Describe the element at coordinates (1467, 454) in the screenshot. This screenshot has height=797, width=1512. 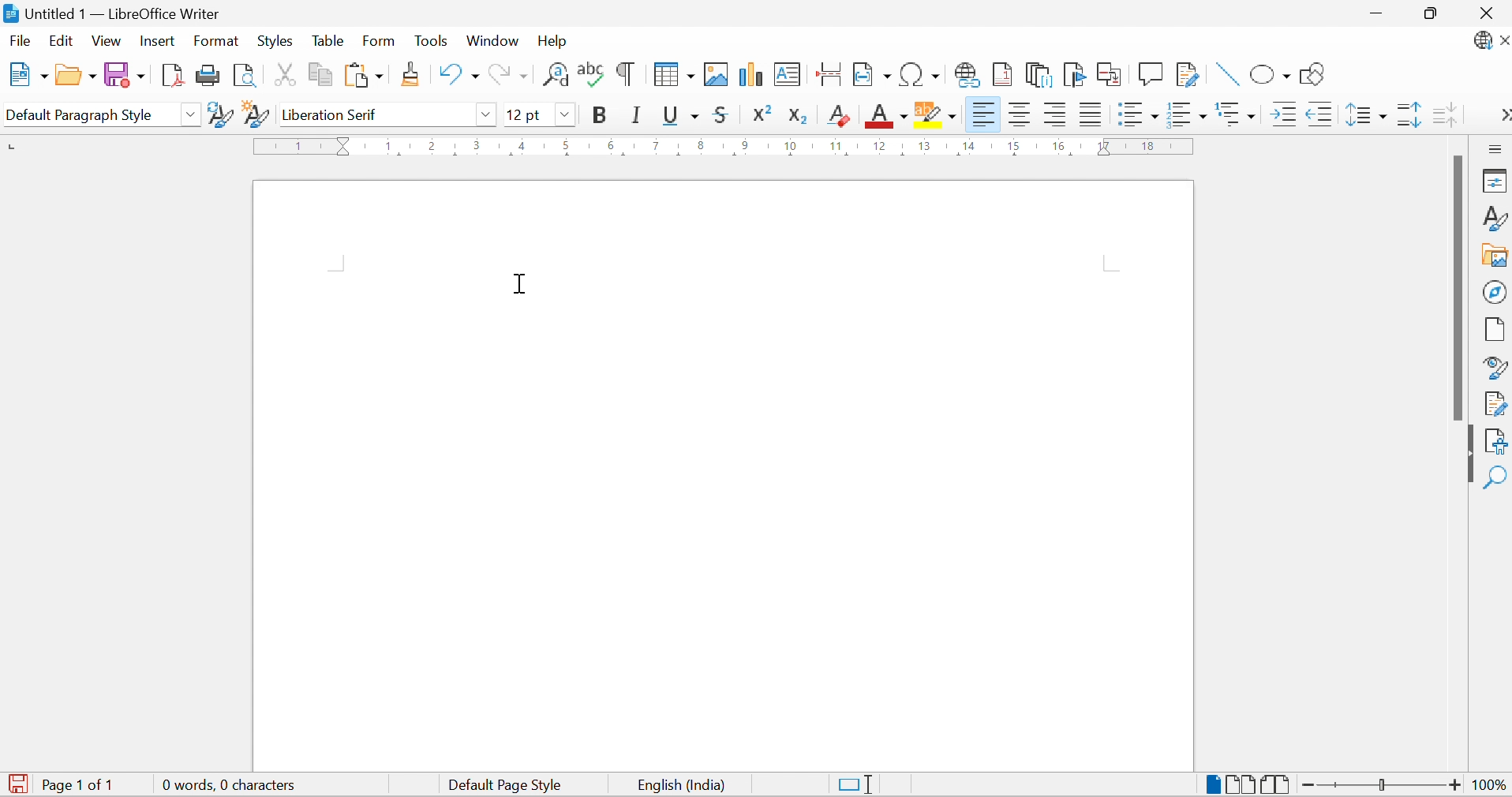
I see `Hide` at that location.